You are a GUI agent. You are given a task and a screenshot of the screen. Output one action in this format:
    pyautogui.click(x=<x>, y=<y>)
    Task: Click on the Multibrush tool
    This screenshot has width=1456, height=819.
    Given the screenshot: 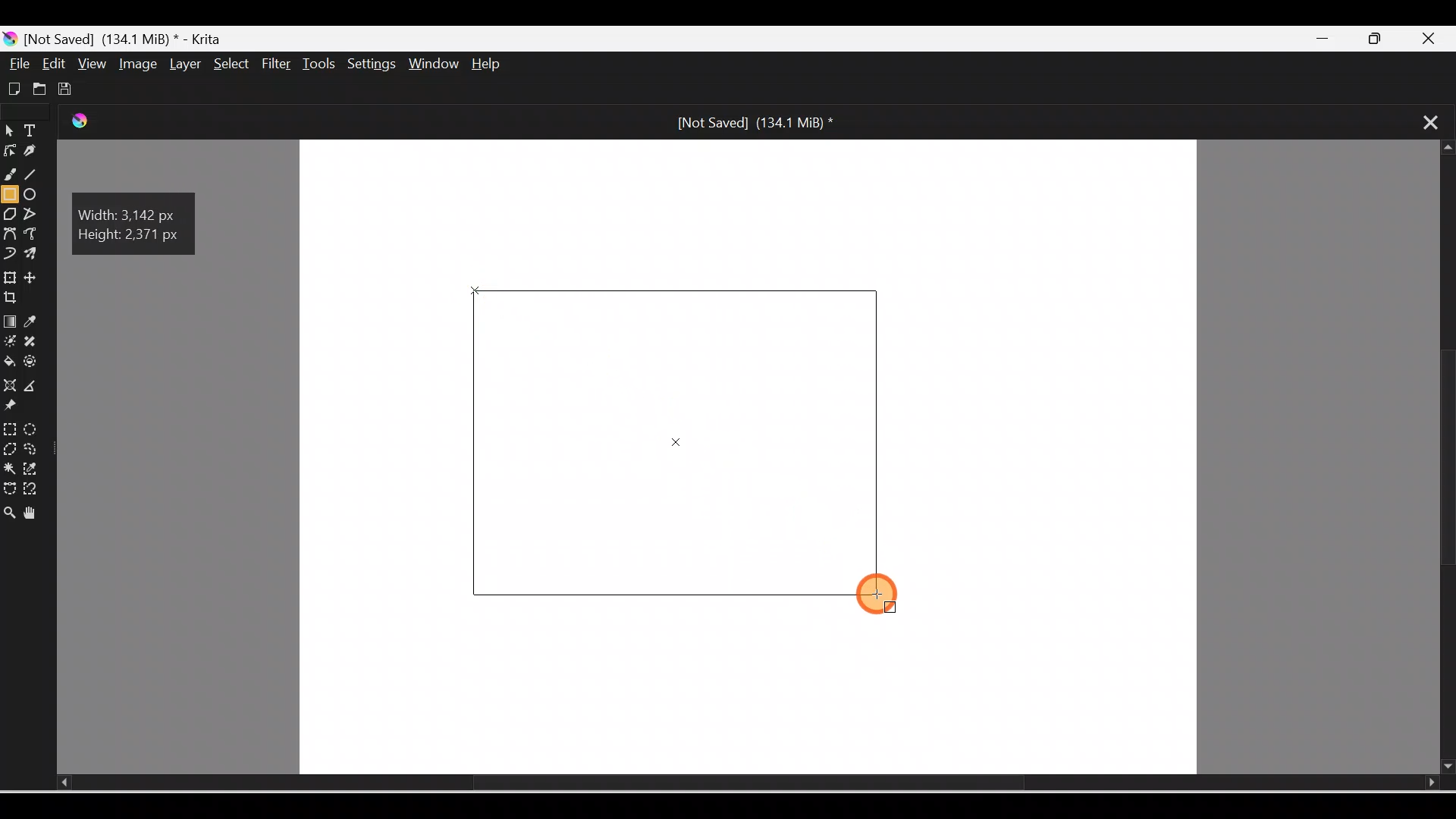 What is the action you would take?
    pyautogui.click(x=33, y=256)
    